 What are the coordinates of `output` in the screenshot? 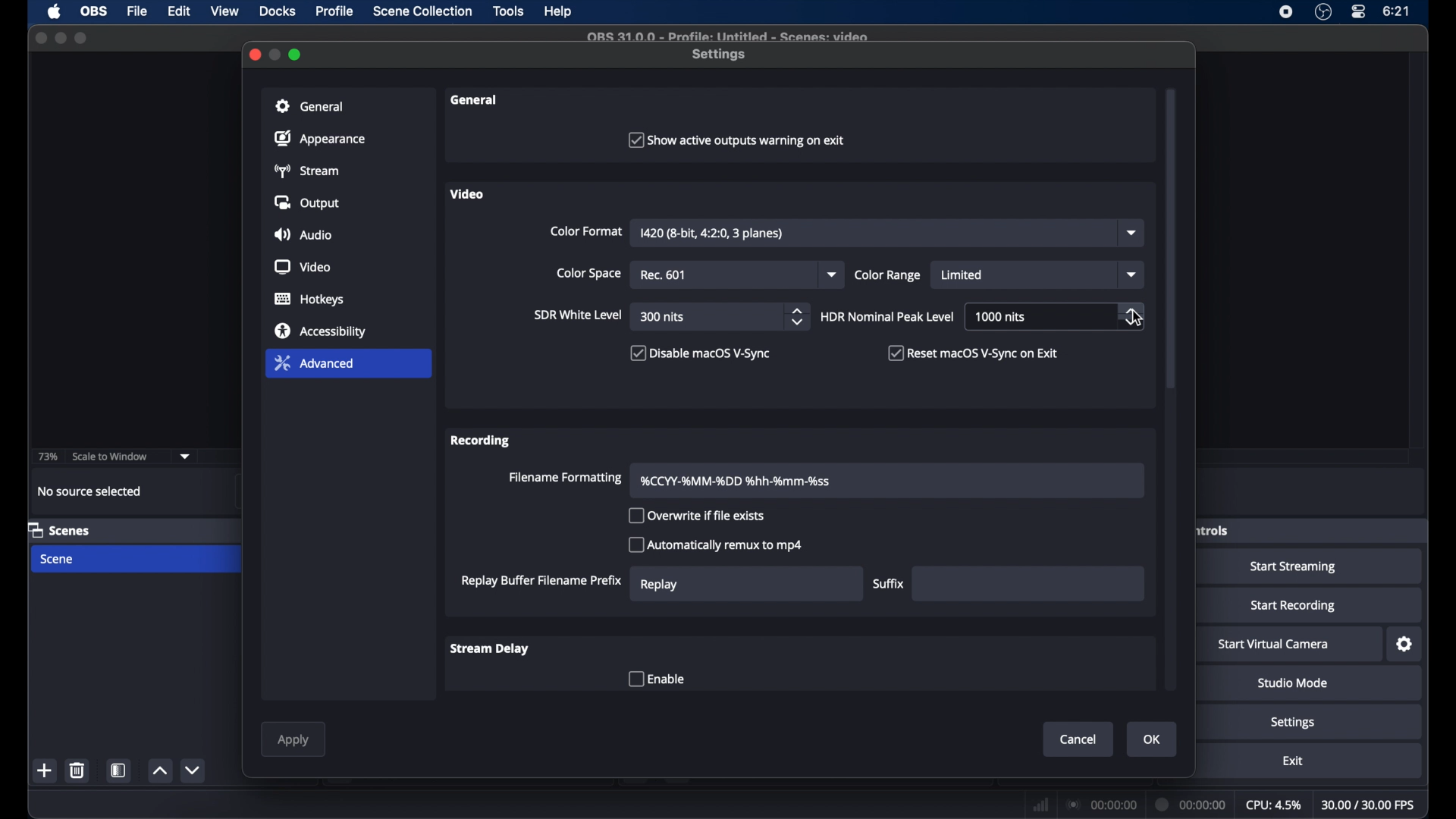 It's located at (305, 202).